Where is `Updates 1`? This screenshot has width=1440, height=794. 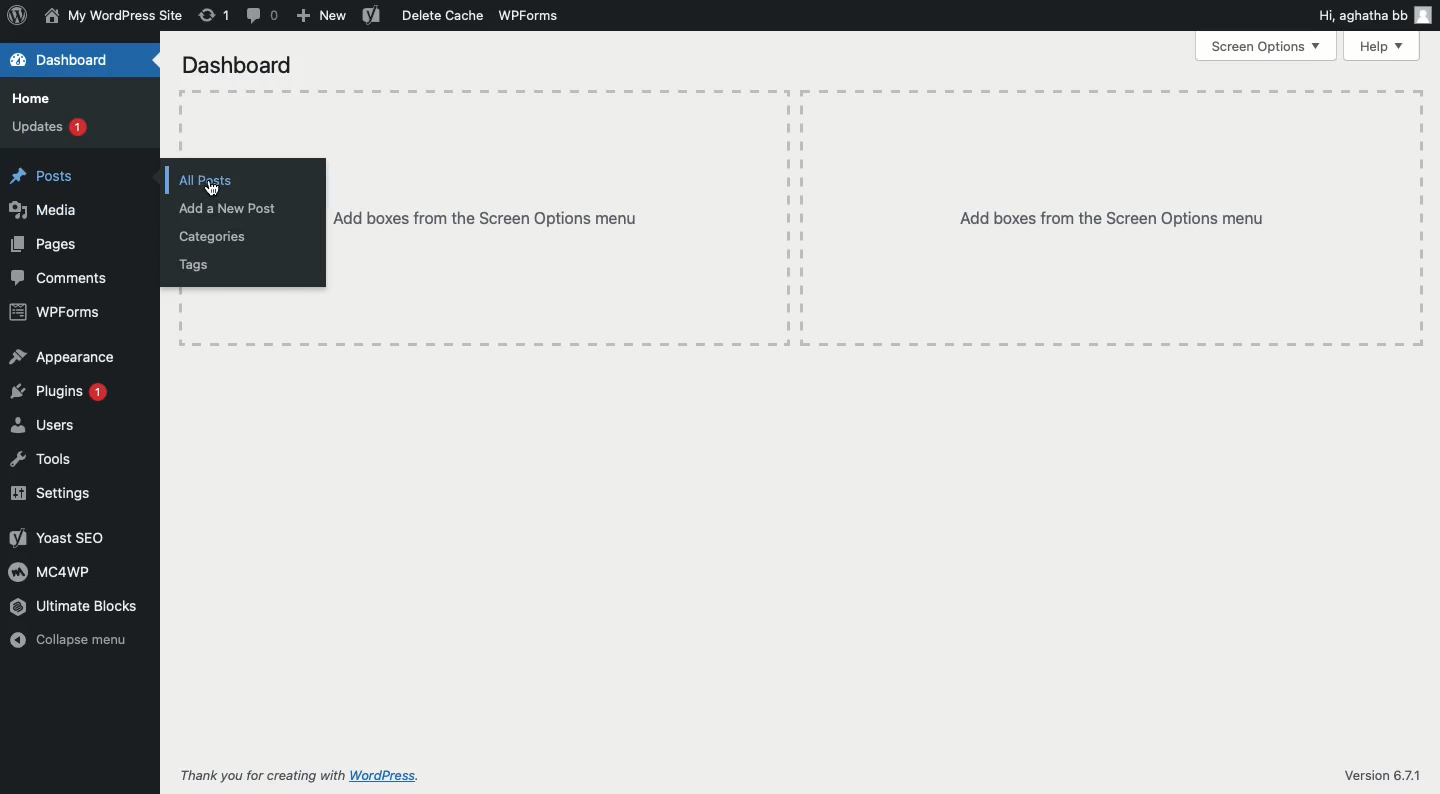 Updates 1 is located at coordinates (54, 129).